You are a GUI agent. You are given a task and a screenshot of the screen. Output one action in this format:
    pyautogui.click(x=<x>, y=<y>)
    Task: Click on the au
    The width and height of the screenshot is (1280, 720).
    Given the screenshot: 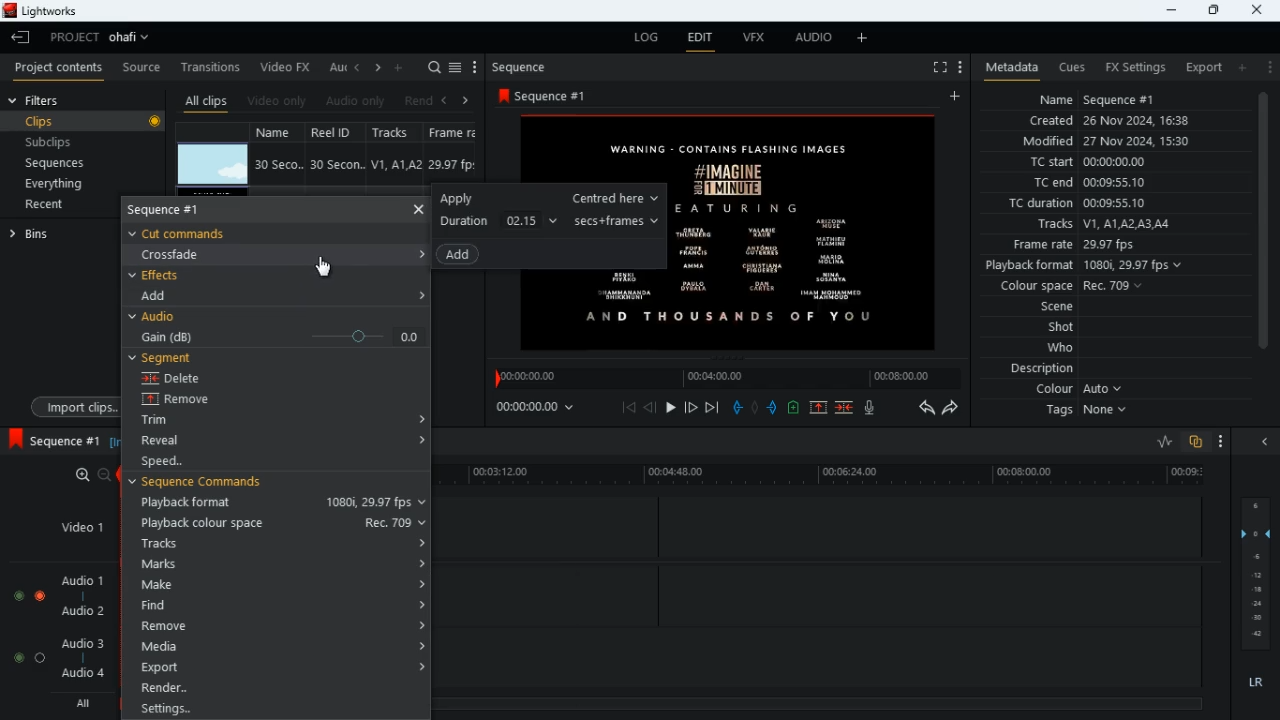 What is the action you would take?
    pyautogui.click(x=336, y=67)
    